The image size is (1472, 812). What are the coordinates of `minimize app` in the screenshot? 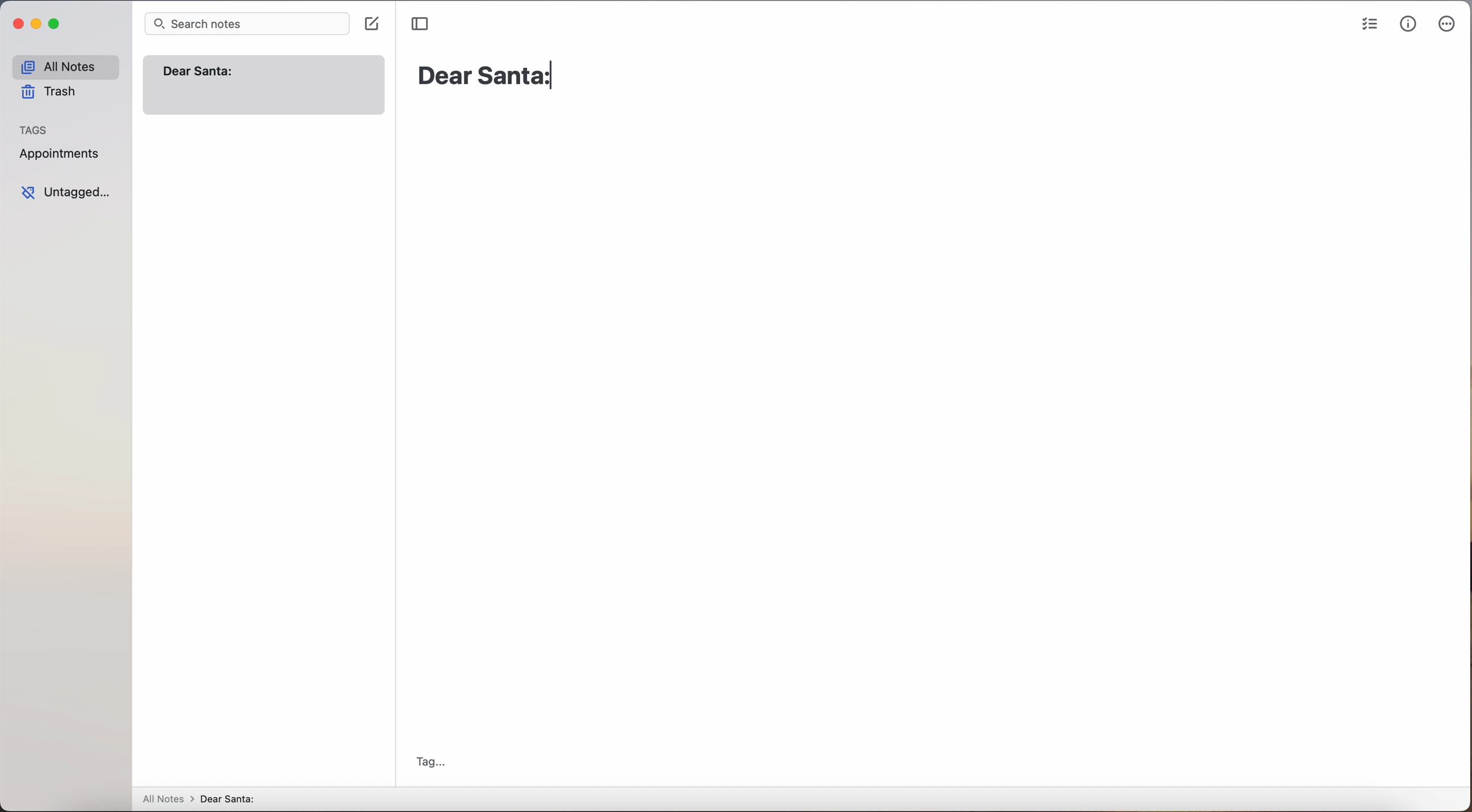 It's located at (38, 26).